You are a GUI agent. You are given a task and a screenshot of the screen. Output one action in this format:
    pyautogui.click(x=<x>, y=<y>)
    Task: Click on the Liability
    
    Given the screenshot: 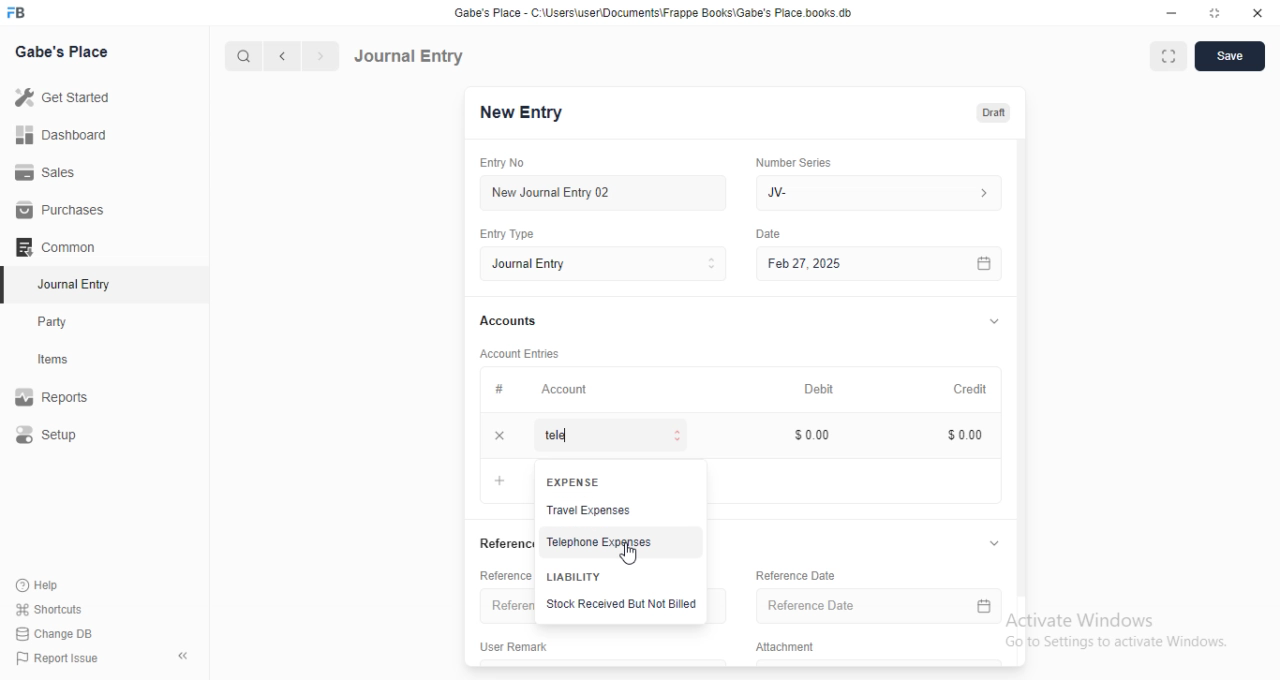 What is the action you would take?
    pyautogui.click(x=573, y=575)
    